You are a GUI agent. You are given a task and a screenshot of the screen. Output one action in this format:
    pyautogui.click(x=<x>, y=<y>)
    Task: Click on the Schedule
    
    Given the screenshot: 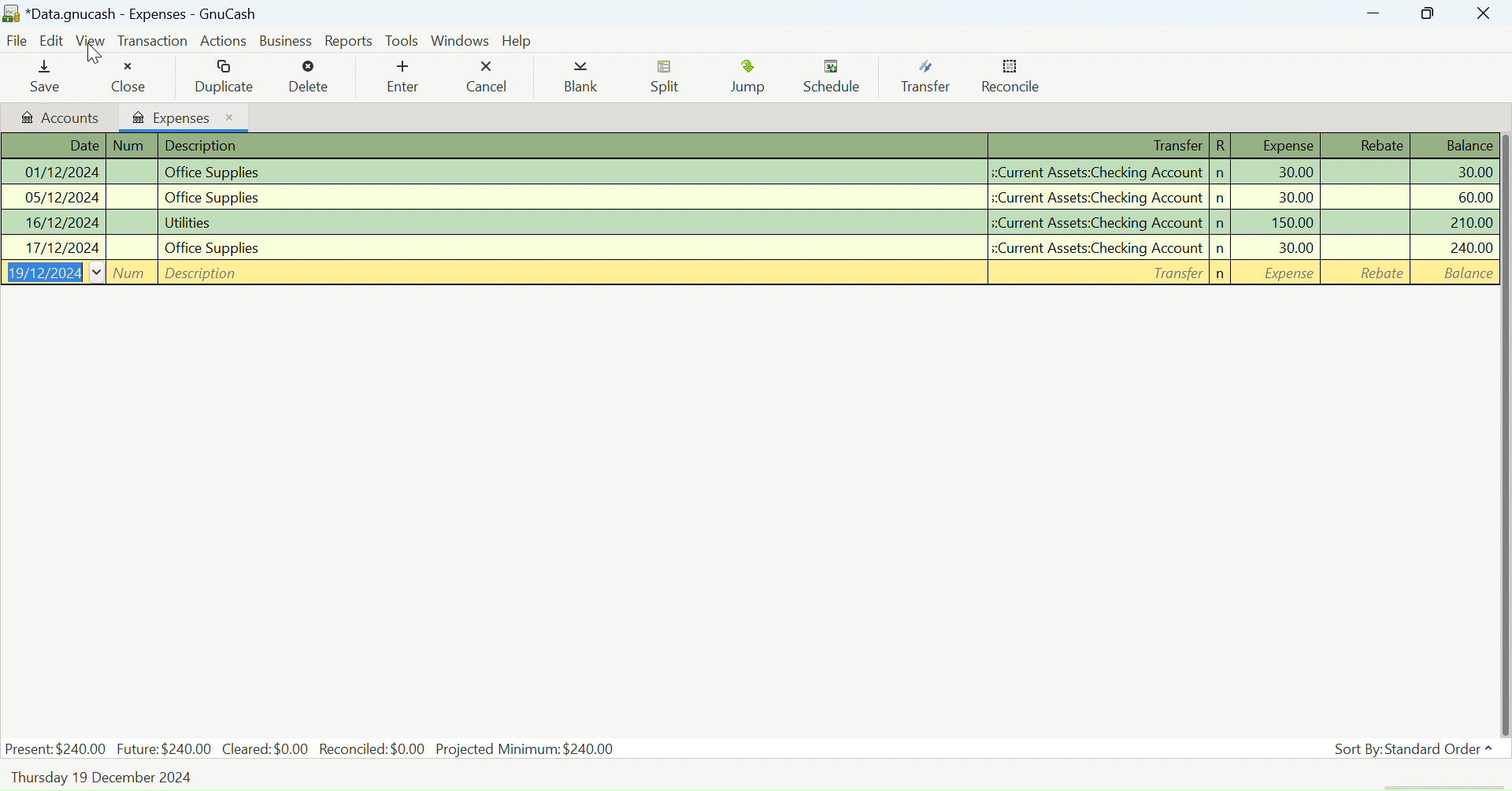 What is the action you would take?
    pyautogui.click(x=837, y=77)
    